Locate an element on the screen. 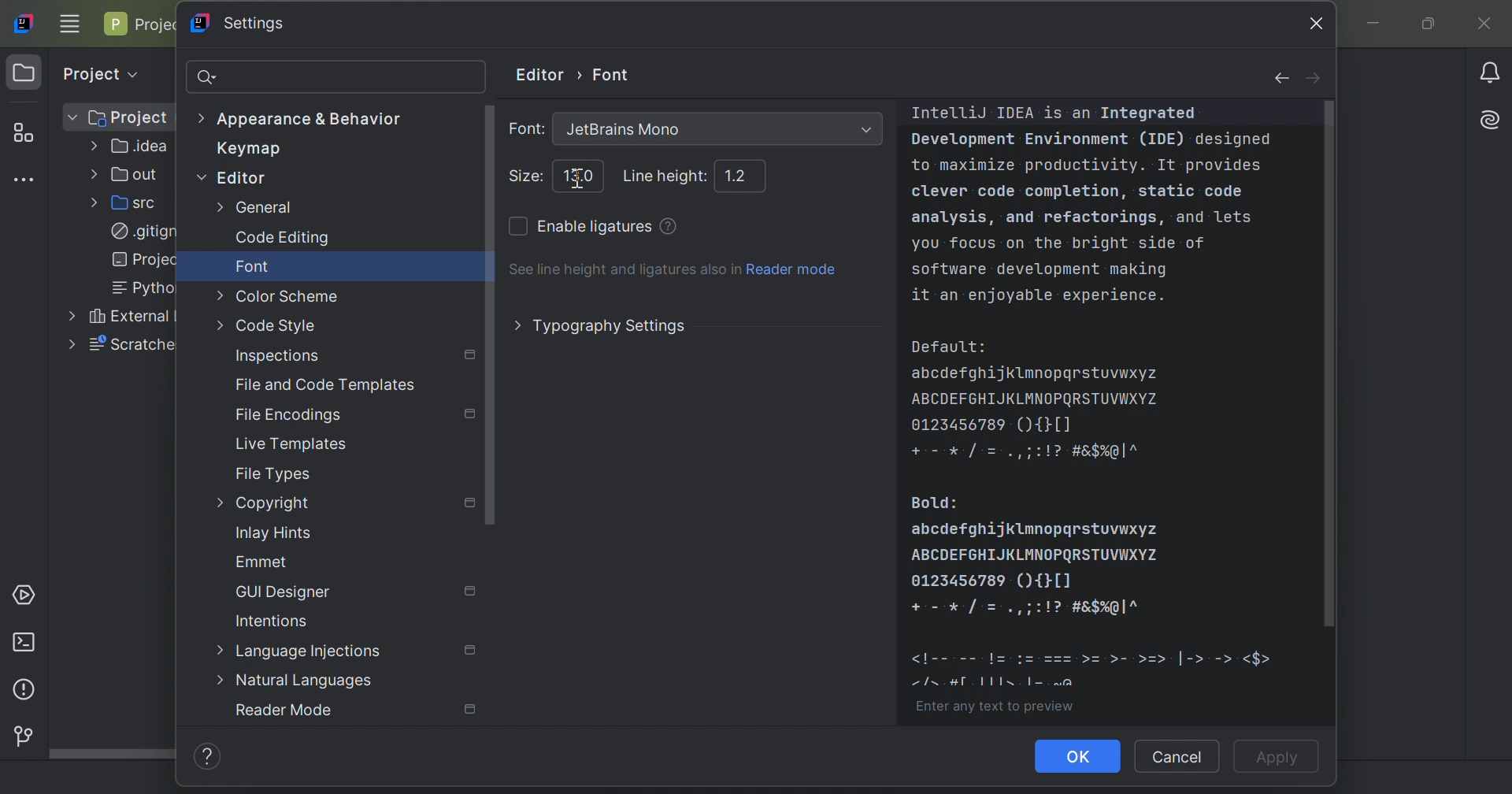 The image size is (1512, 794). close icon is located at coordinates (1312, 22).